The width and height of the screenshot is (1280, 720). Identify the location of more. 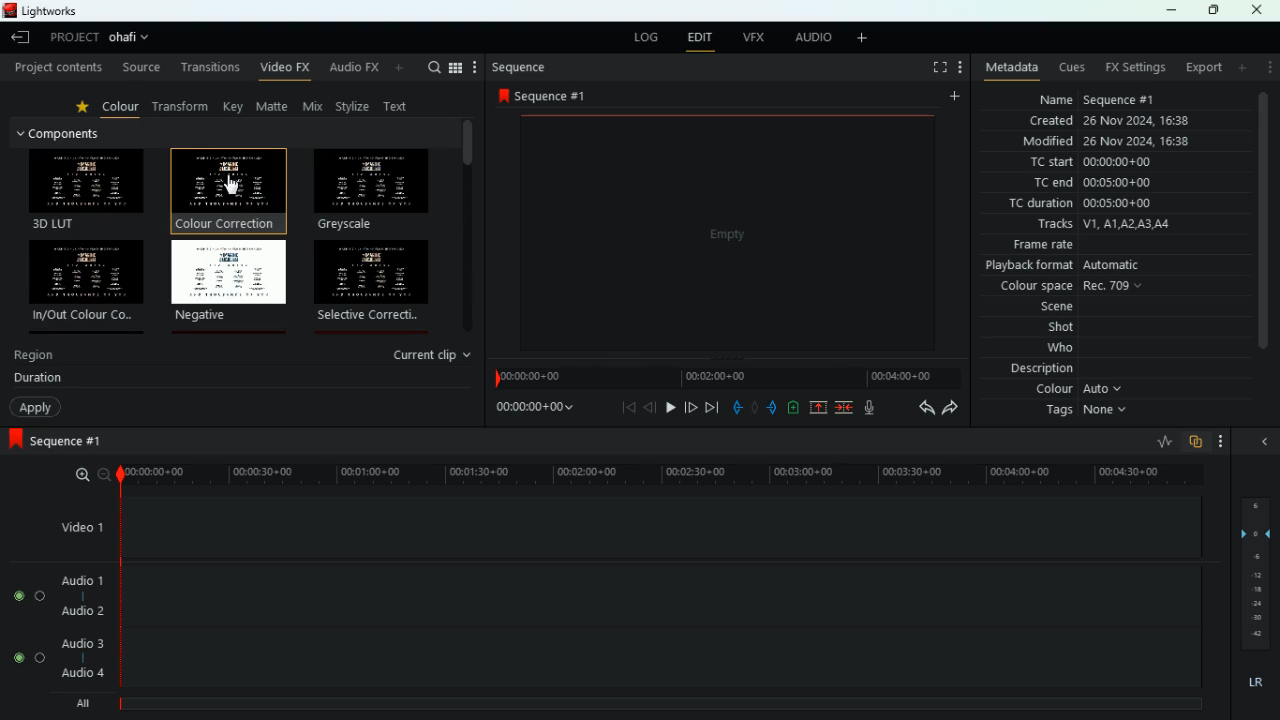
(1220, 440).